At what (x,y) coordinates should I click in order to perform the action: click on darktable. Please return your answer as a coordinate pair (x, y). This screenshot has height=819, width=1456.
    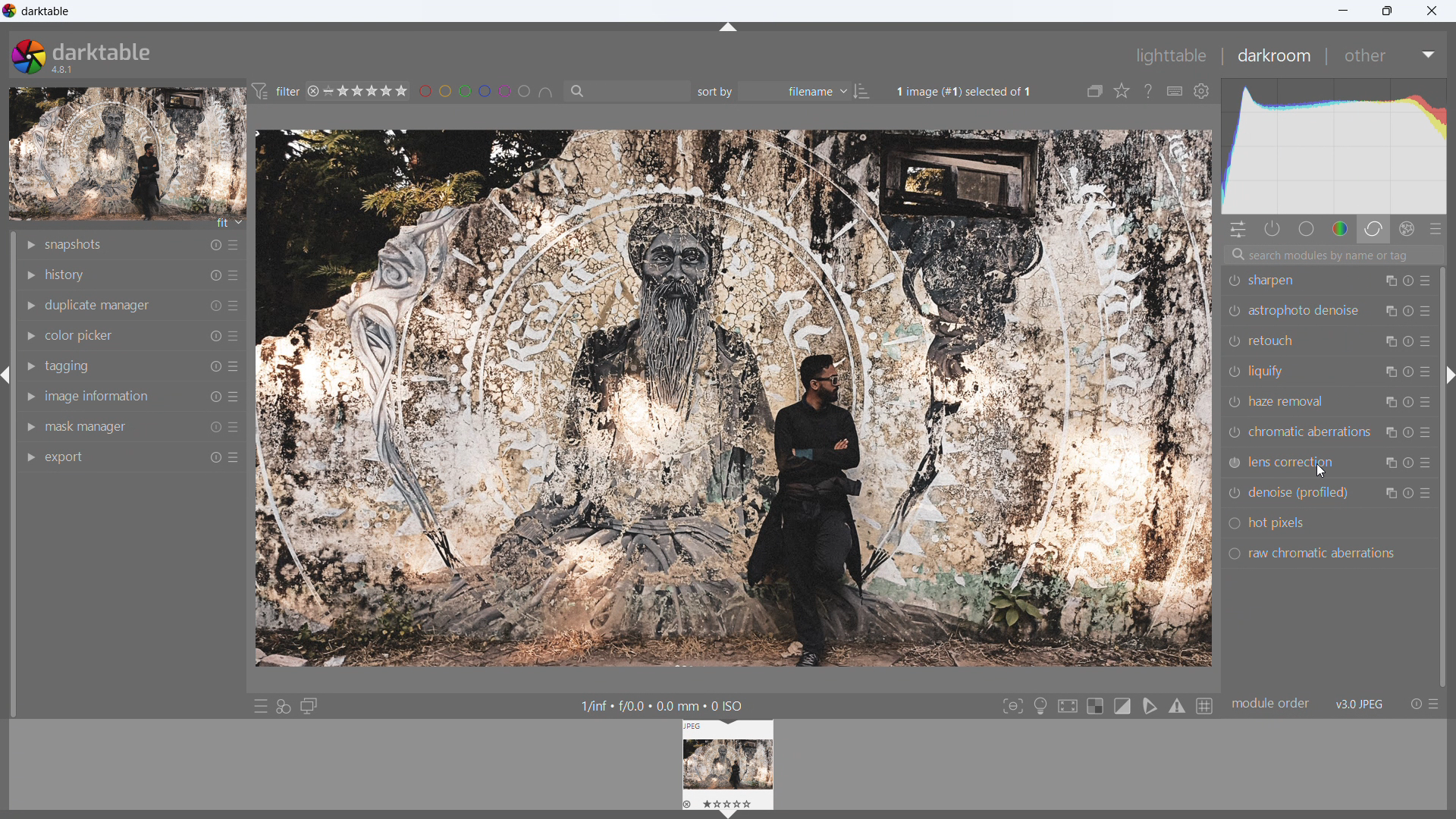
    Looking at the image, I should click on (103, 52).